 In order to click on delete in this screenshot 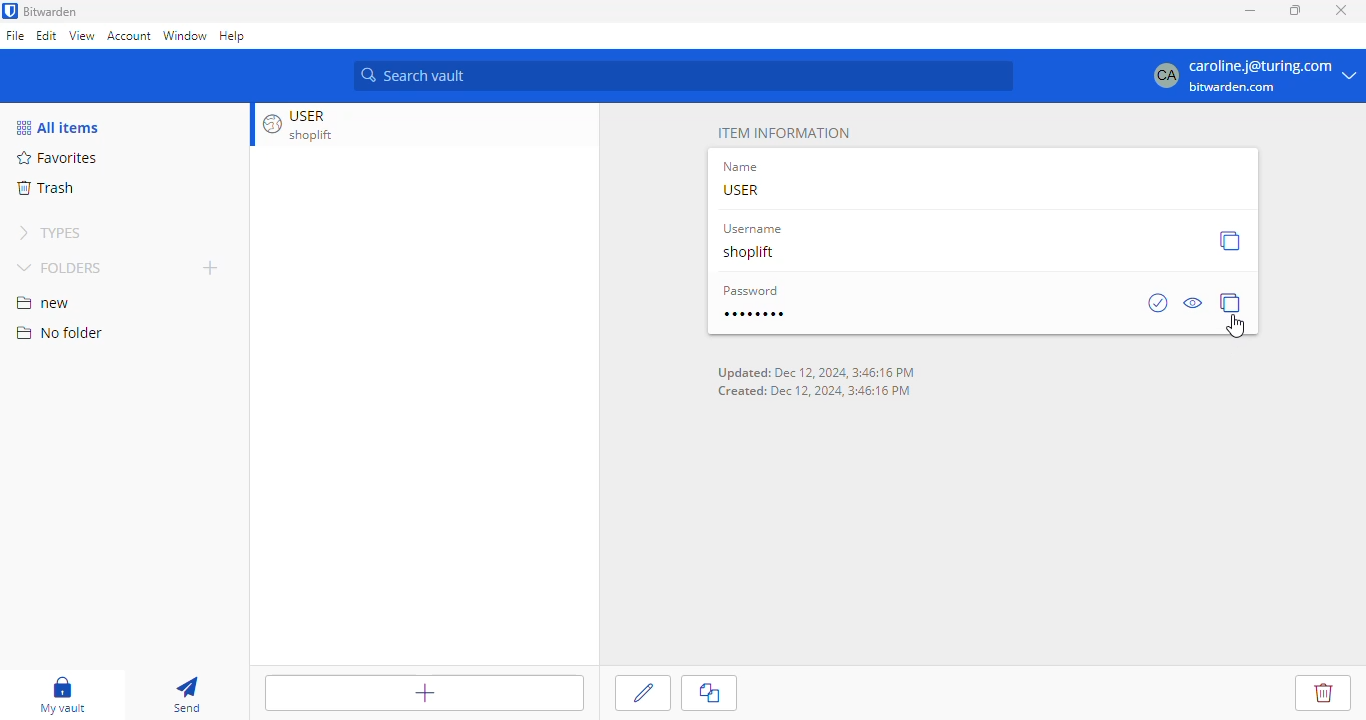, I will do `click(1316, 689)`.